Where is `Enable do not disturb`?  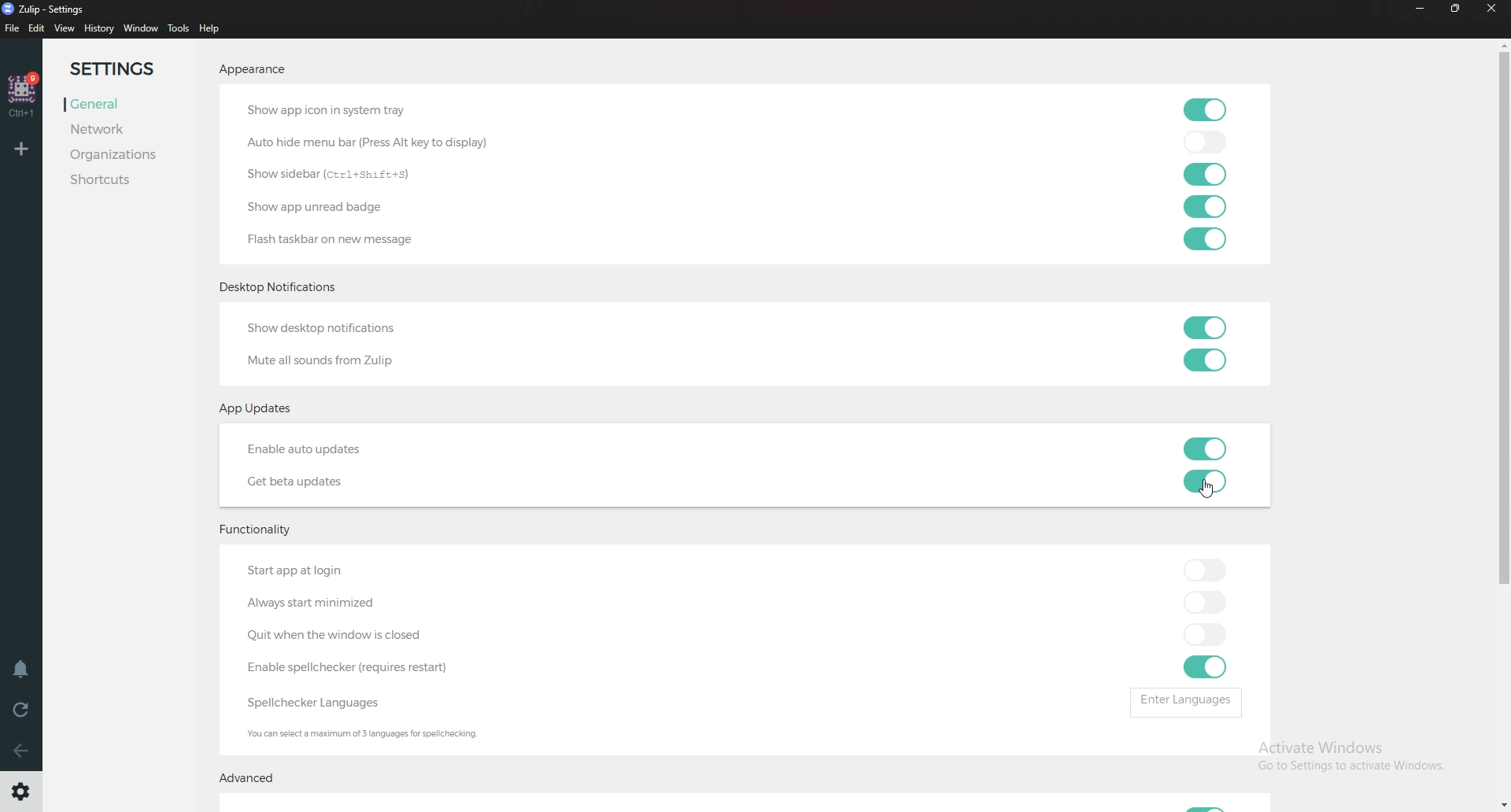 Enable do not disturb is located at coordinates (20, 667).